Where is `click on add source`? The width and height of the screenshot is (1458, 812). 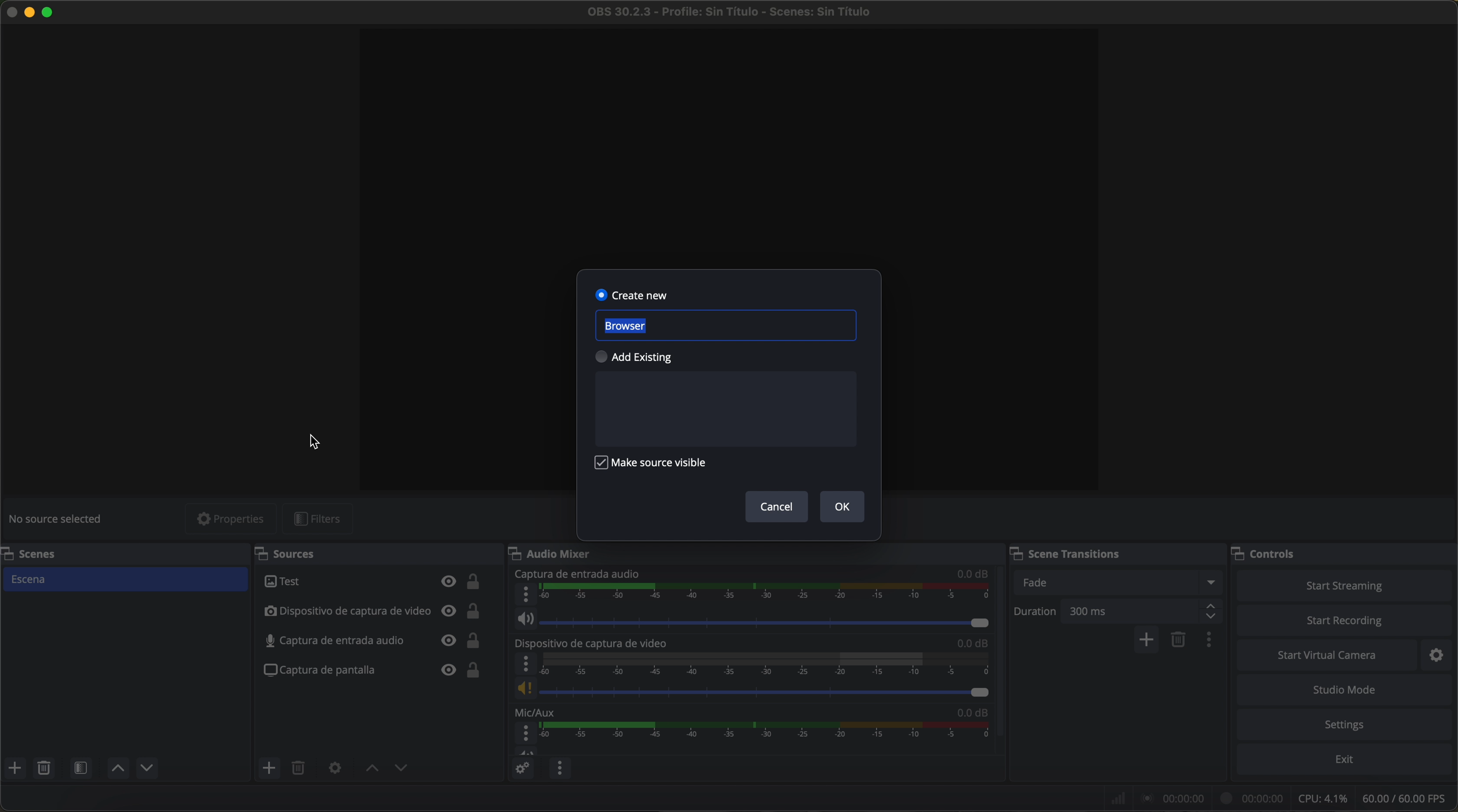
click on add source is located at coordinates (271, 768).